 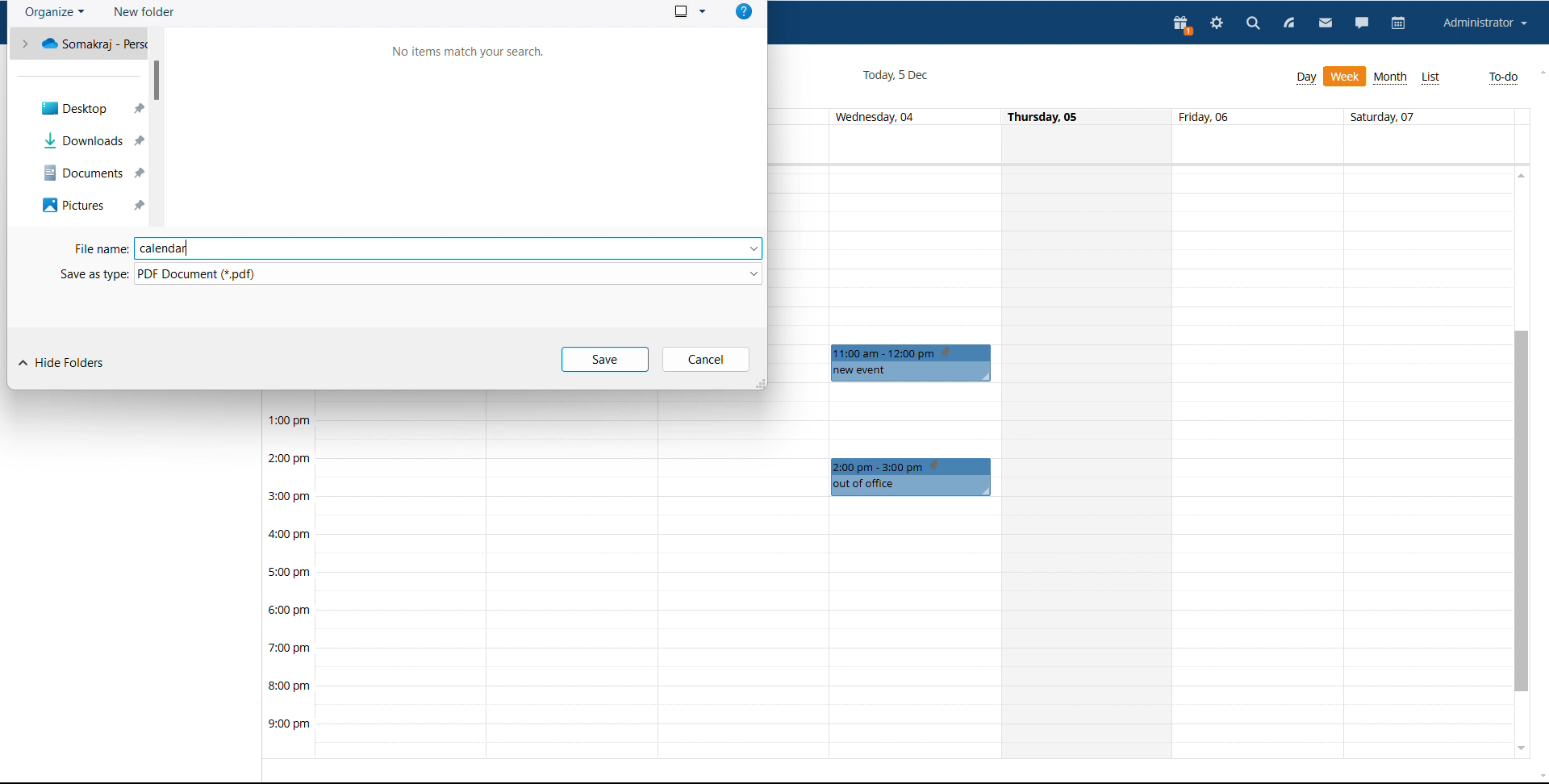 I want to click on search, so click(x=1251, y=24).